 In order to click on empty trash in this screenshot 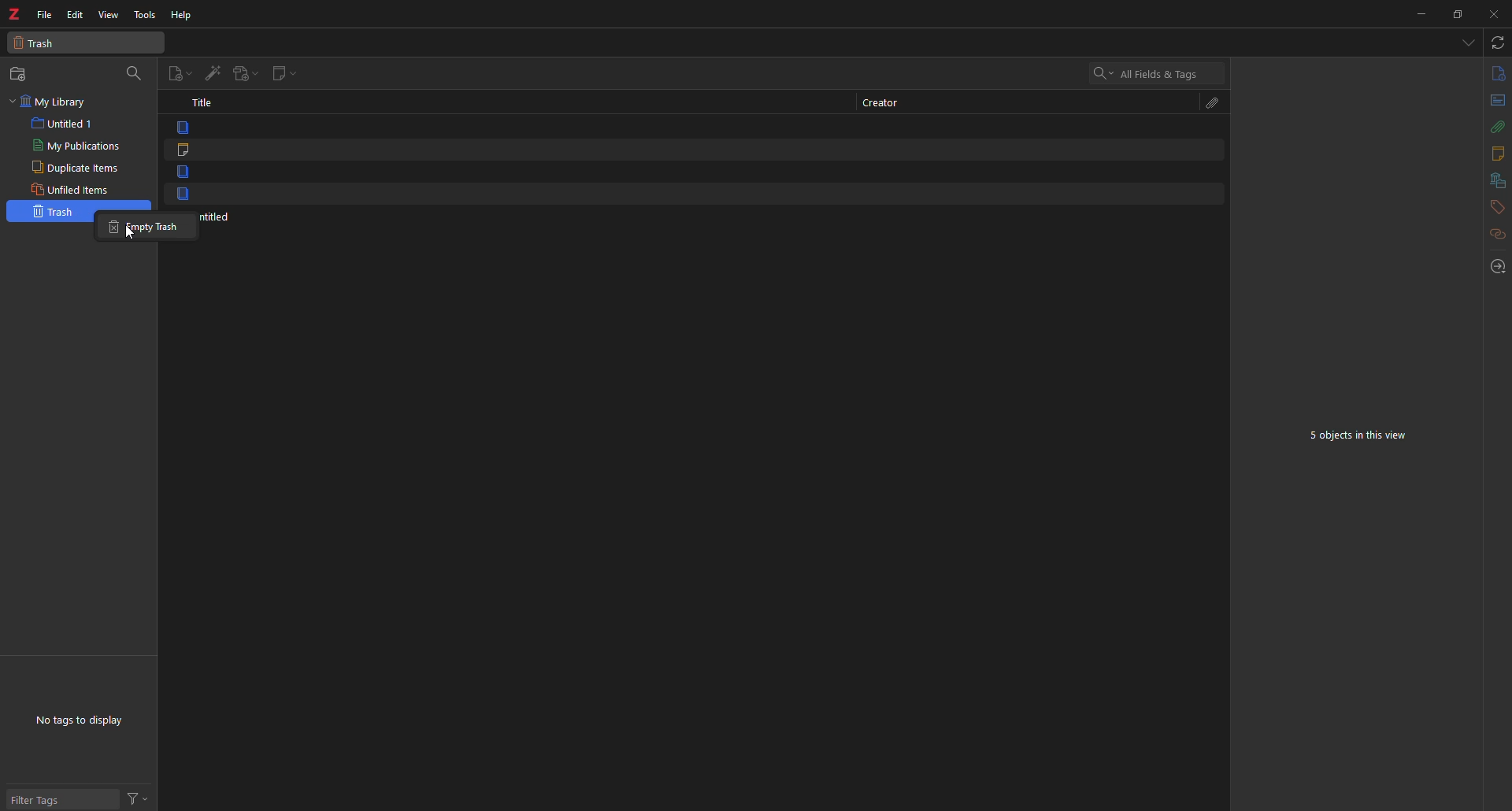, I will do `click(146, 225)`.